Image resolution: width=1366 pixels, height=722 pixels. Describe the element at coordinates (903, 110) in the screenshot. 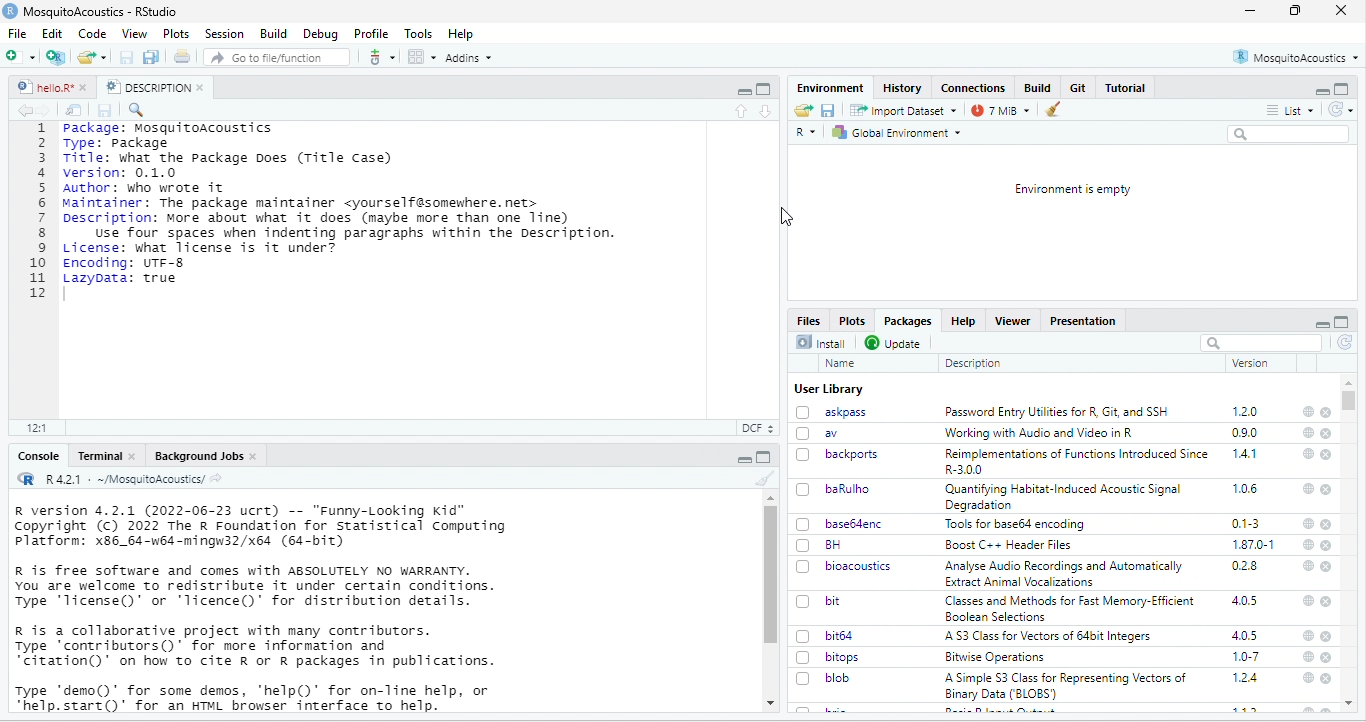

I see `Import Dataset` at that location.